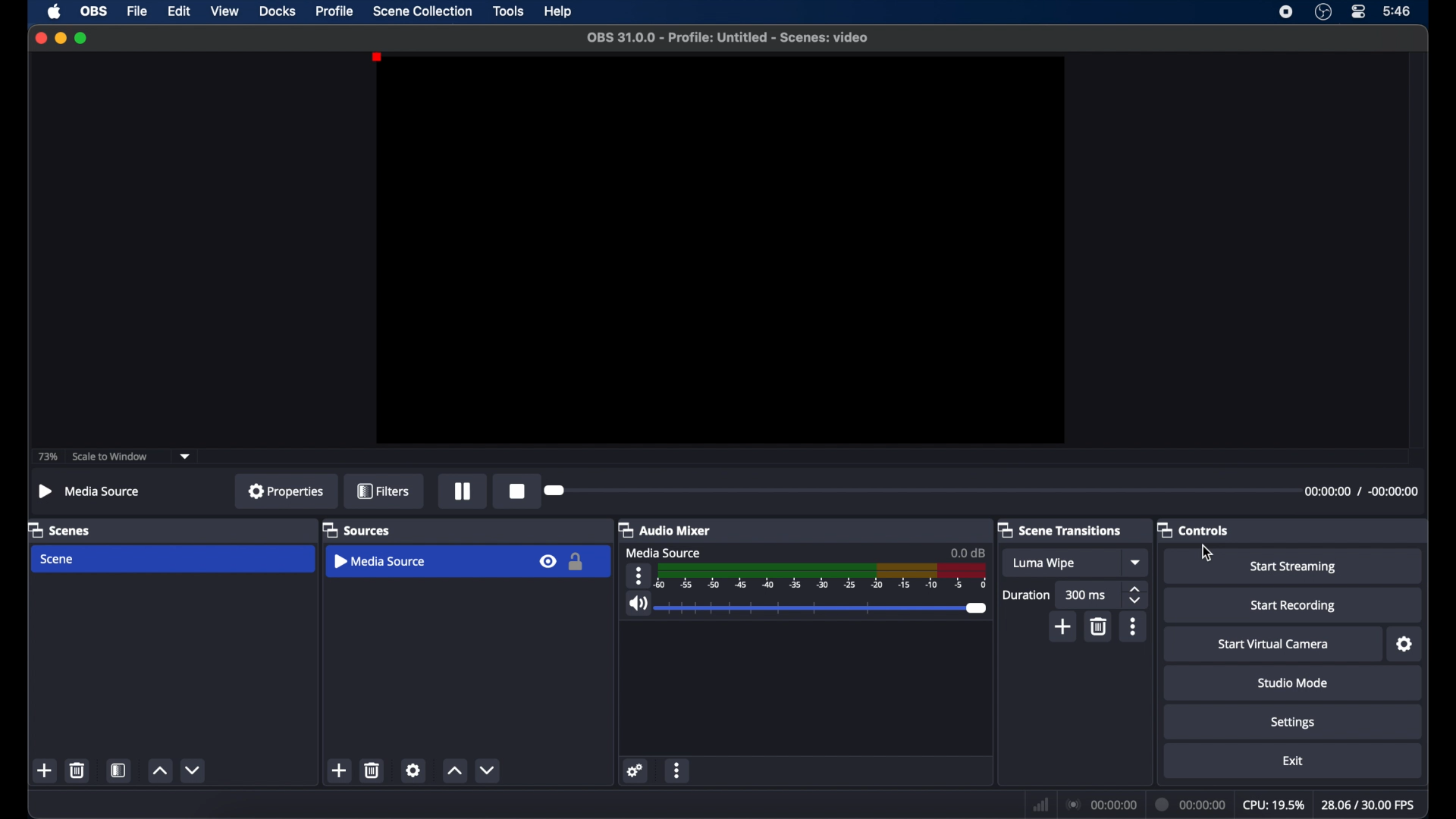  I want to click on audio mixer, so click(664, 532).